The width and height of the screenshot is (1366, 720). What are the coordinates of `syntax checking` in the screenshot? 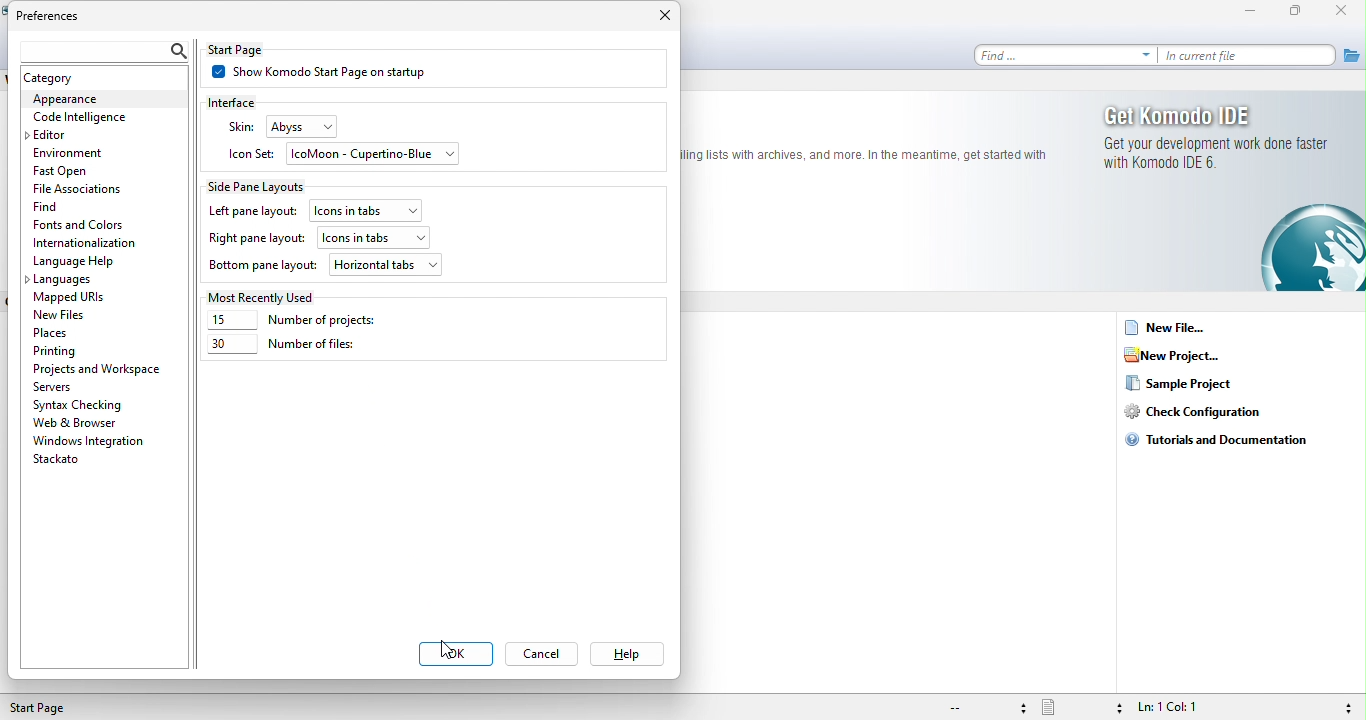 It's located at (1345, 706).